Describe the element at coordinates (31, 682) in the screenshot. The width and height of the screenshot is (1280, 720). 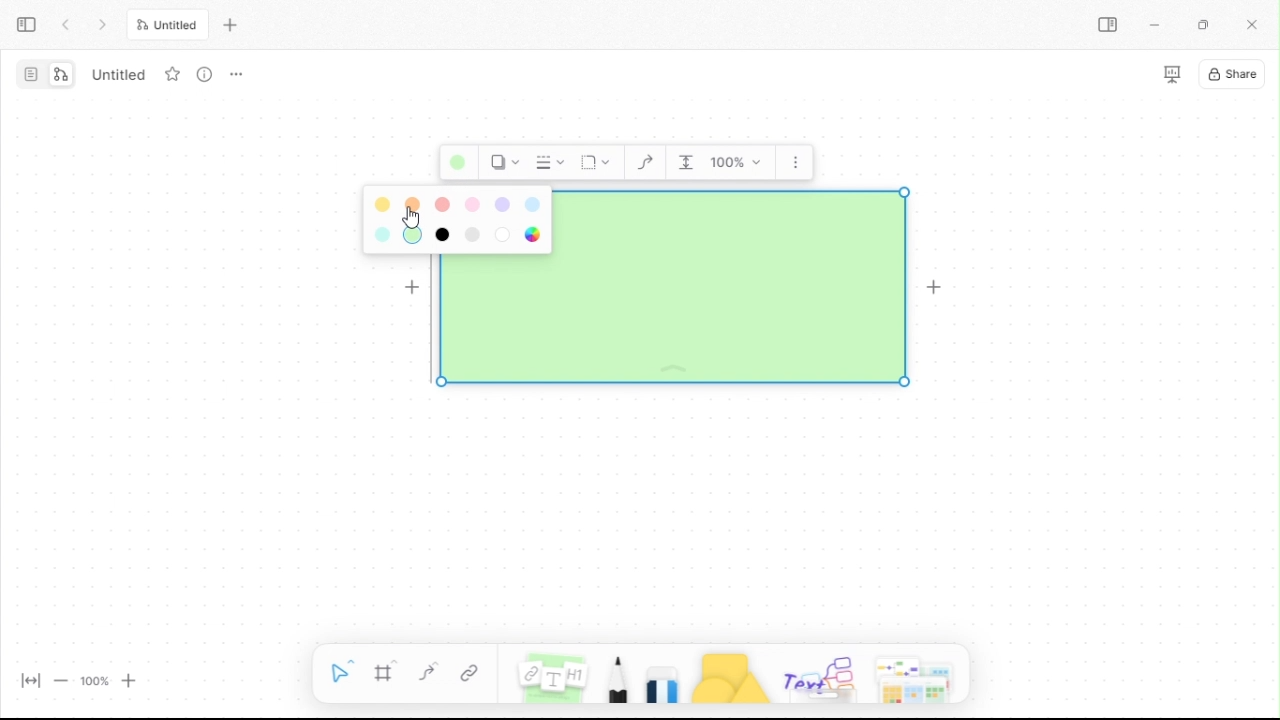
I see `fit width` at that location.